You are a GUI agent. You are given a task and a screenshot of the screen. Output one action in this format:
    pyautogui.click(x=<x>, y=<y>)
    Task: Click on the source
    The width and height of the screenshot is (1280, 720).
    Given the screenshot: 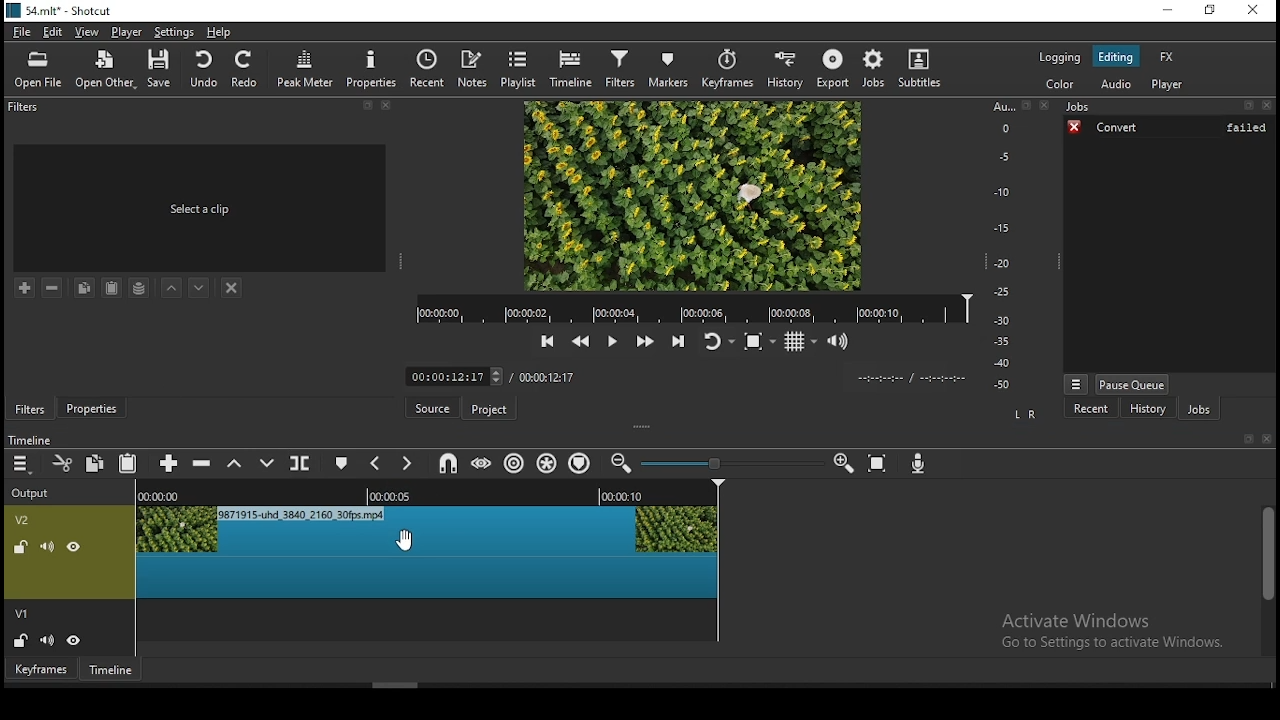 What is the action you would take?
    pyautogui.click(x=433, y=408)
    